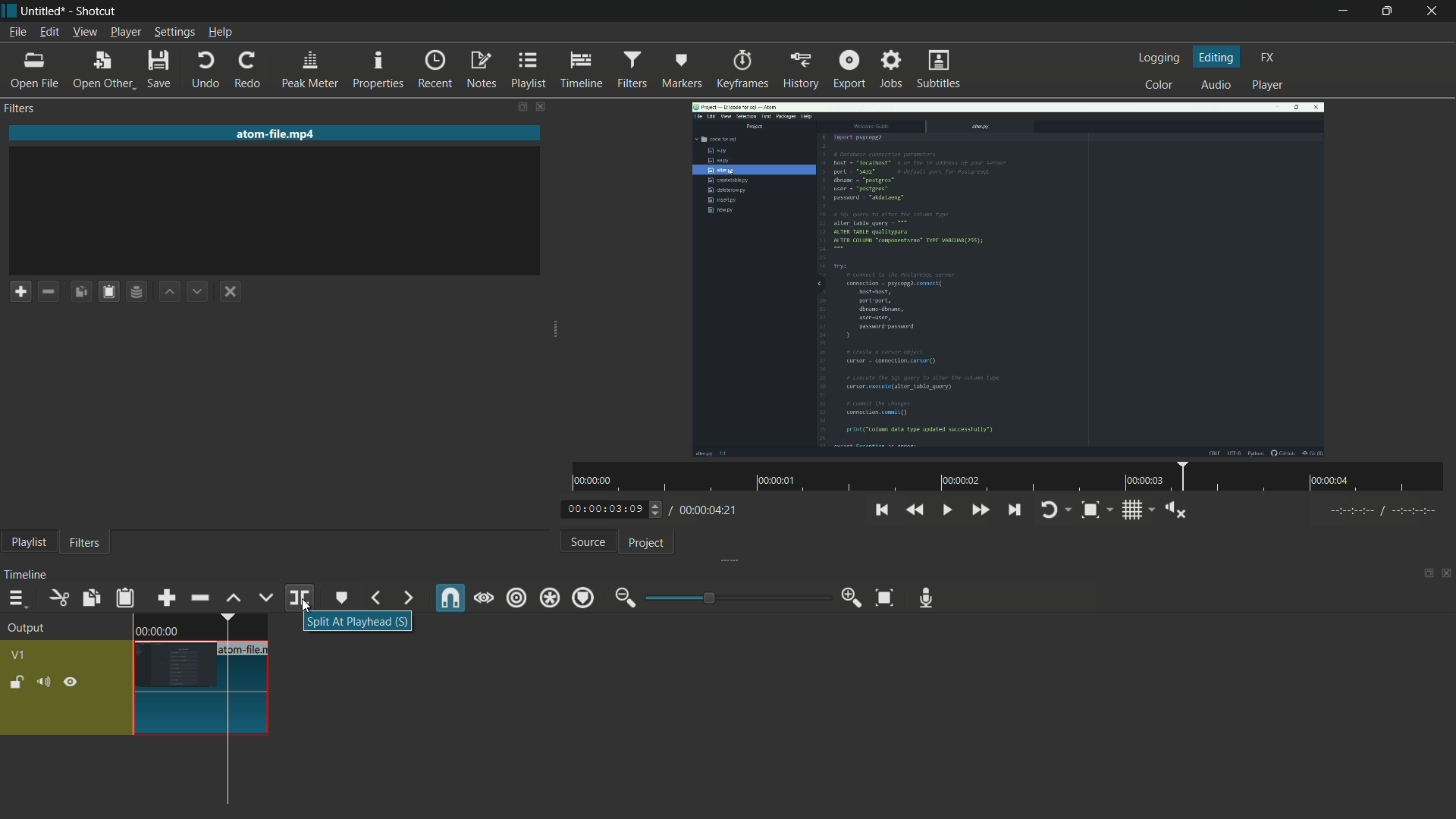 This screenshot has height=819, width=1456. Describe the element at coordinates (201, 675) in the screenshot. I see `video in timeline` at that location.